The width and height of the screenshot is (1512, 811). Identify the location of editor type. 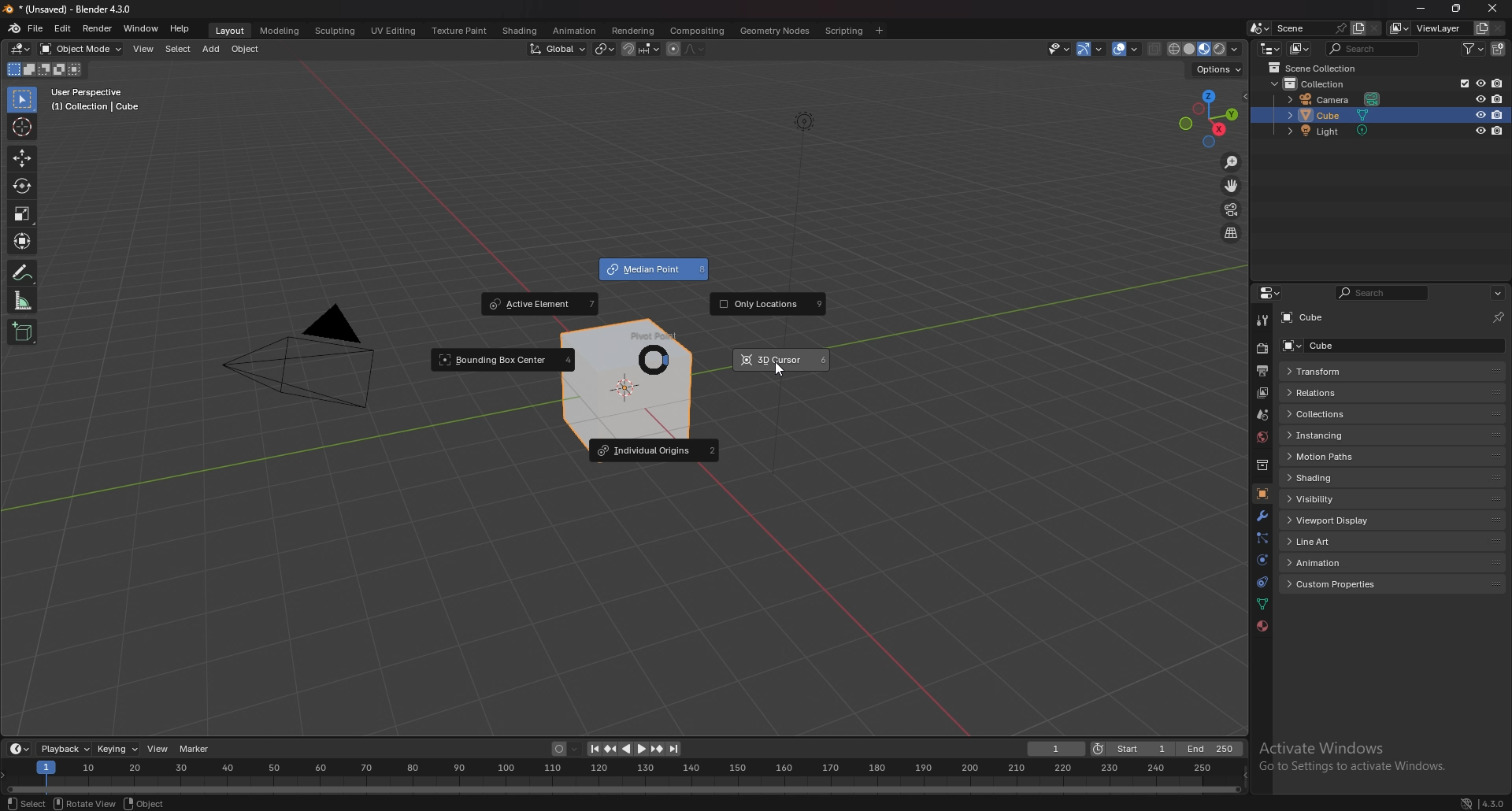
(1269, 49).